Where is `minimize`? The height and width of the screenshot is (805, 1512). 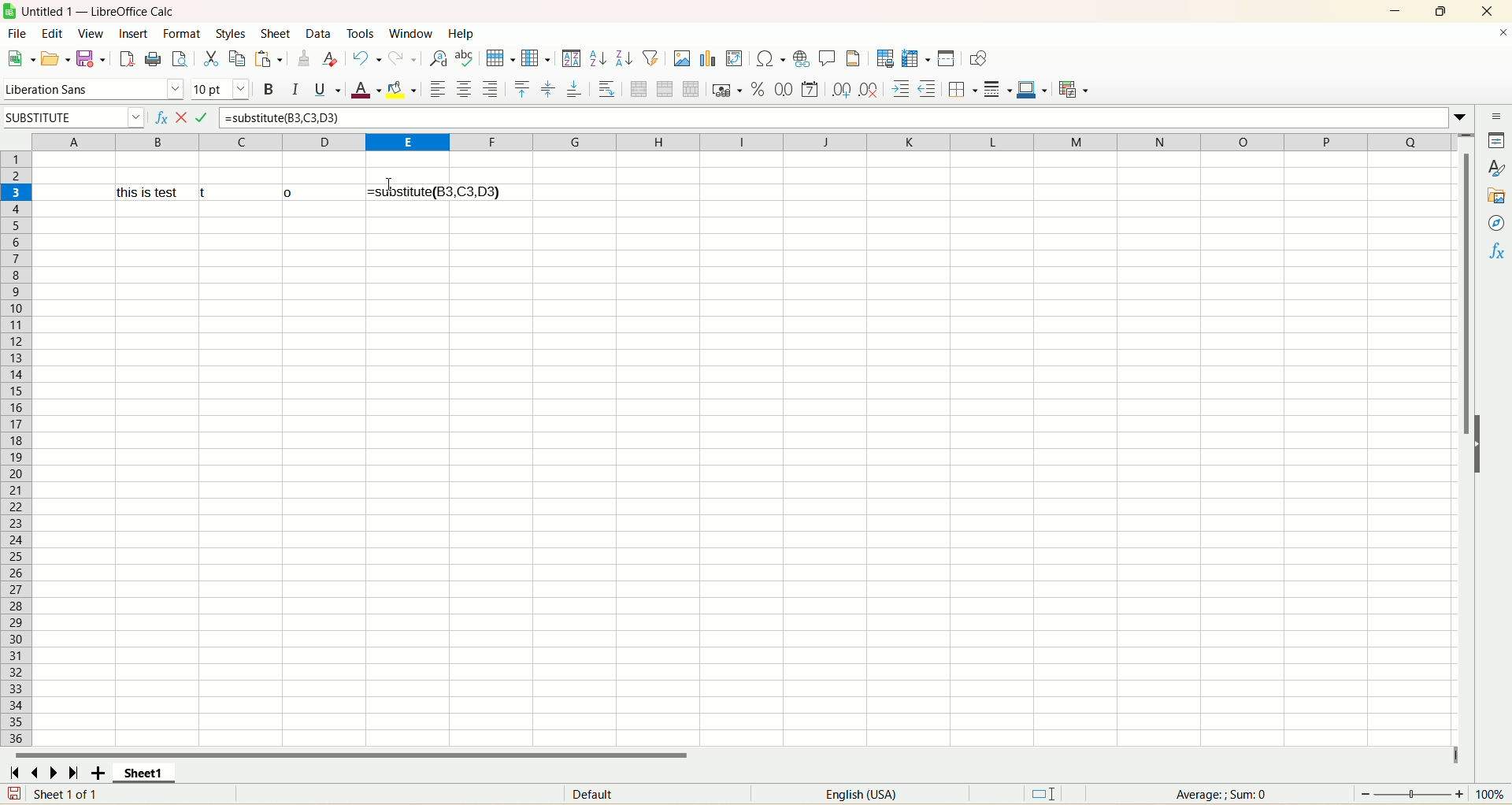 minimize is located at coordinates (1395, 12).